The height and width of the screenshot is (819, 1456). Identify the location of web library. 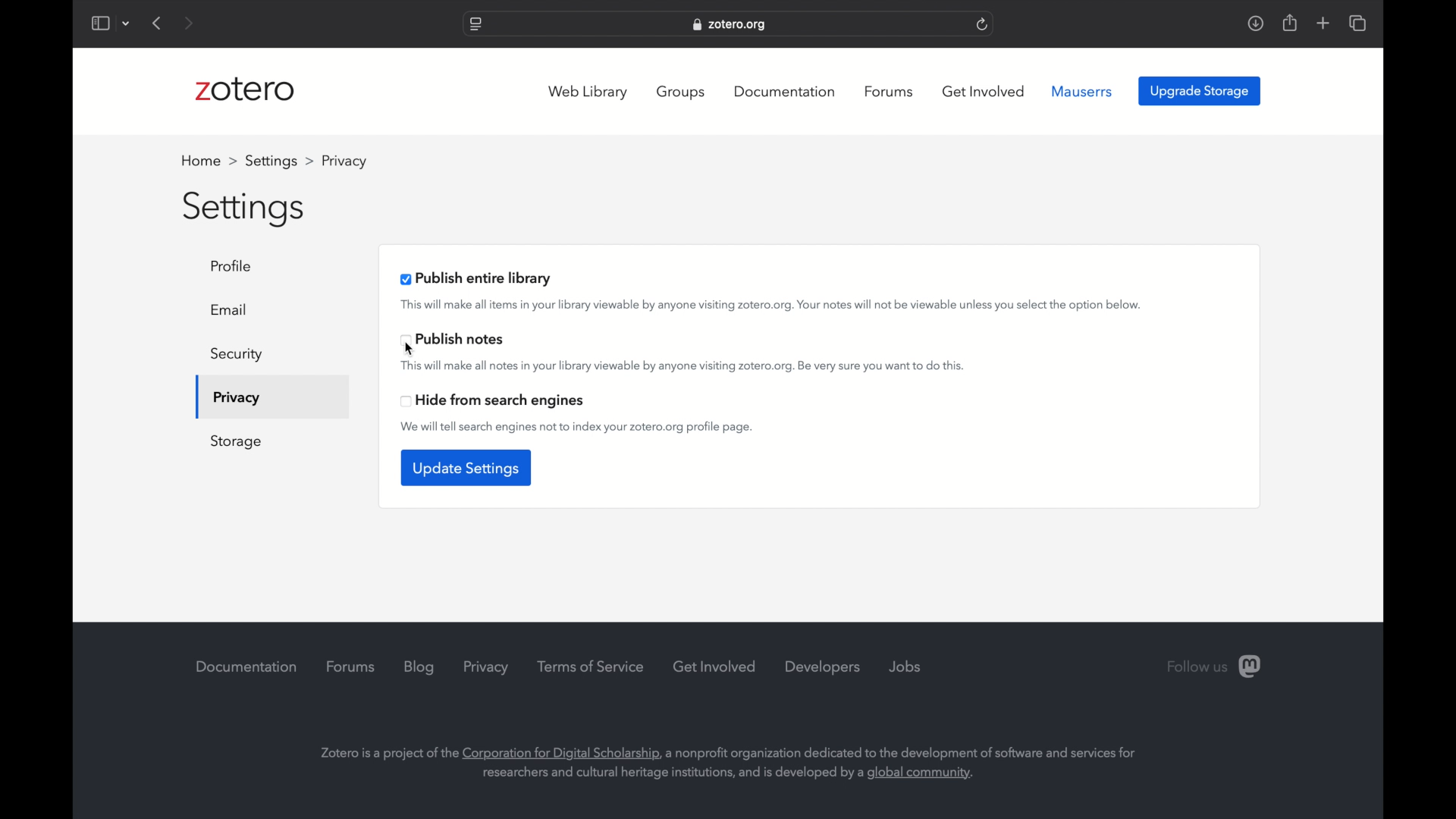
(587, 93).